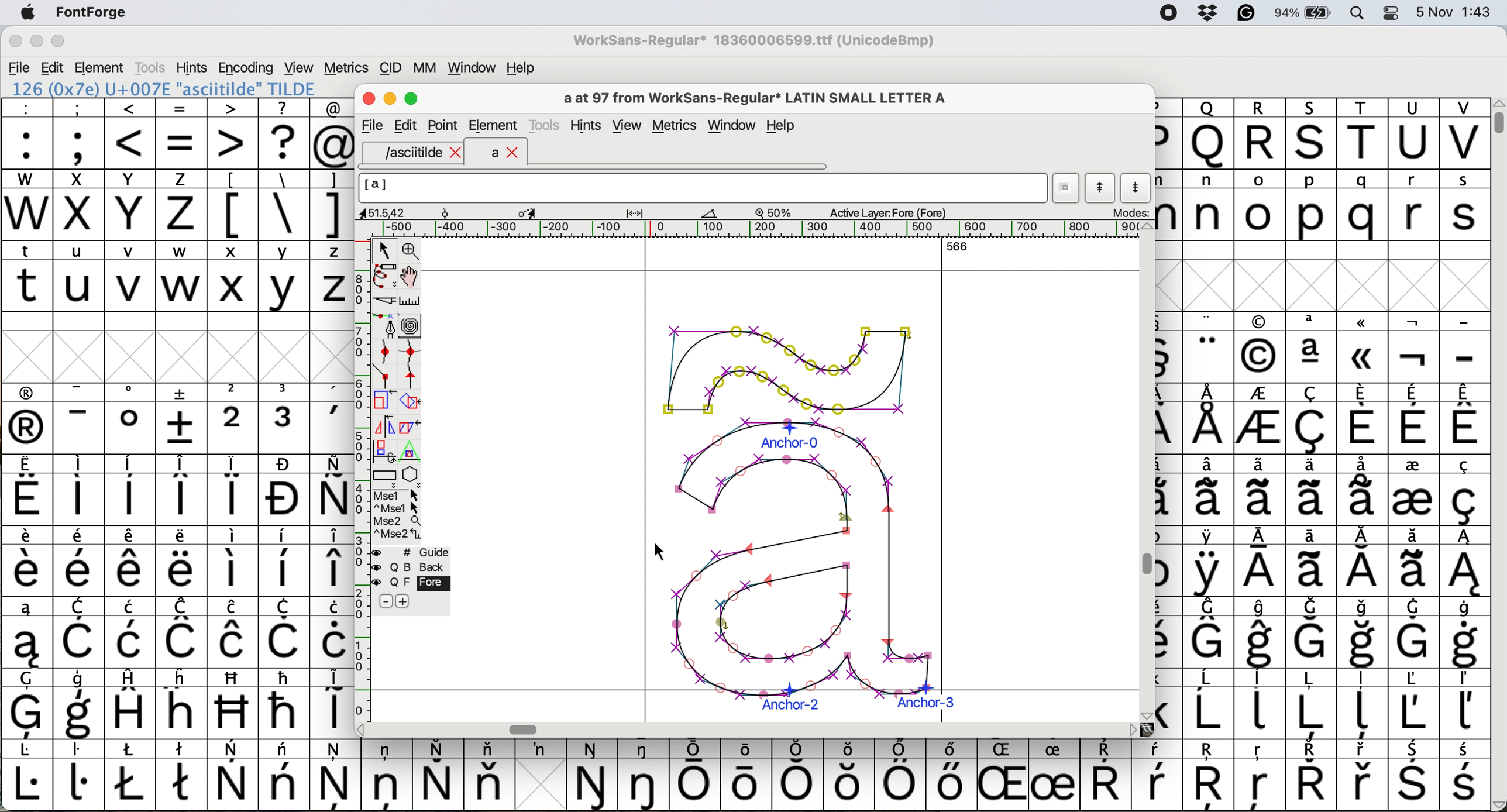  Describe the element at coordinates (886, 212) in the screenshot. I see `active layer` at that location.